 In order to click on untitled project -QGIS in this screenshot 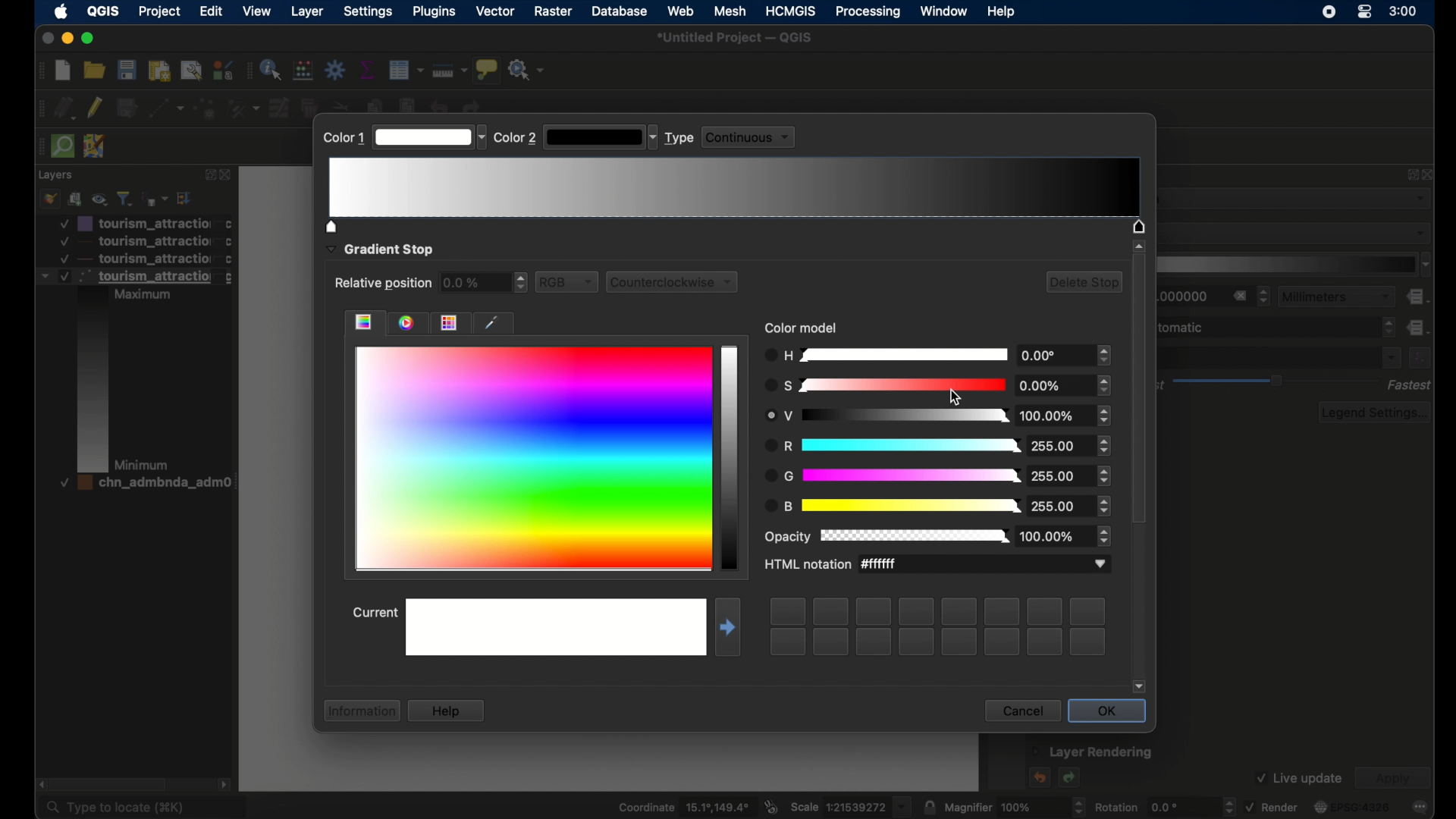, I will do `click(739, 39)`.